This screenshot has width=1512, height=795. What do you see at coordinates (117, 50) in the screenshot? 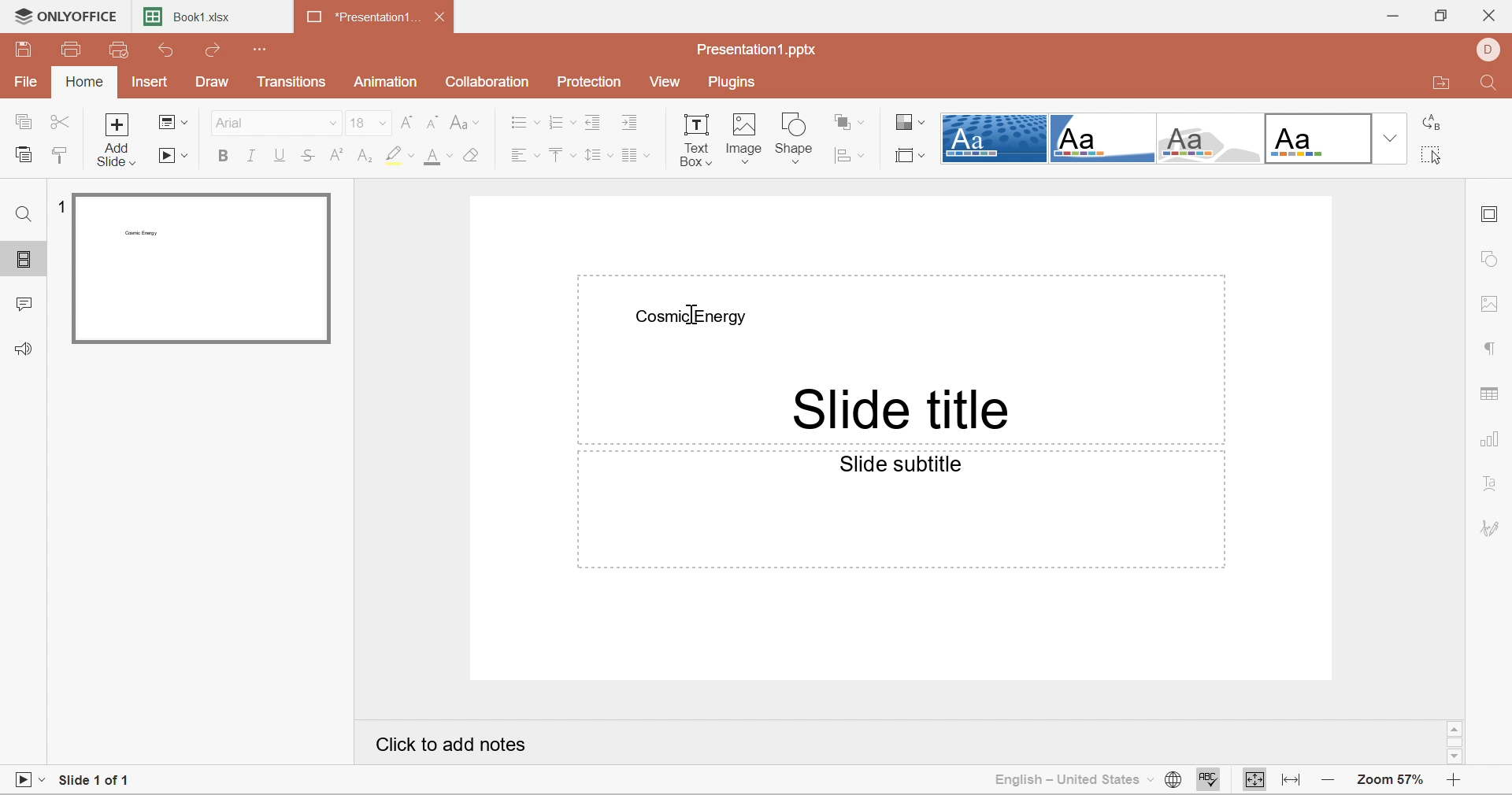
I see `Quick Print` at bounding box center [117, 50].